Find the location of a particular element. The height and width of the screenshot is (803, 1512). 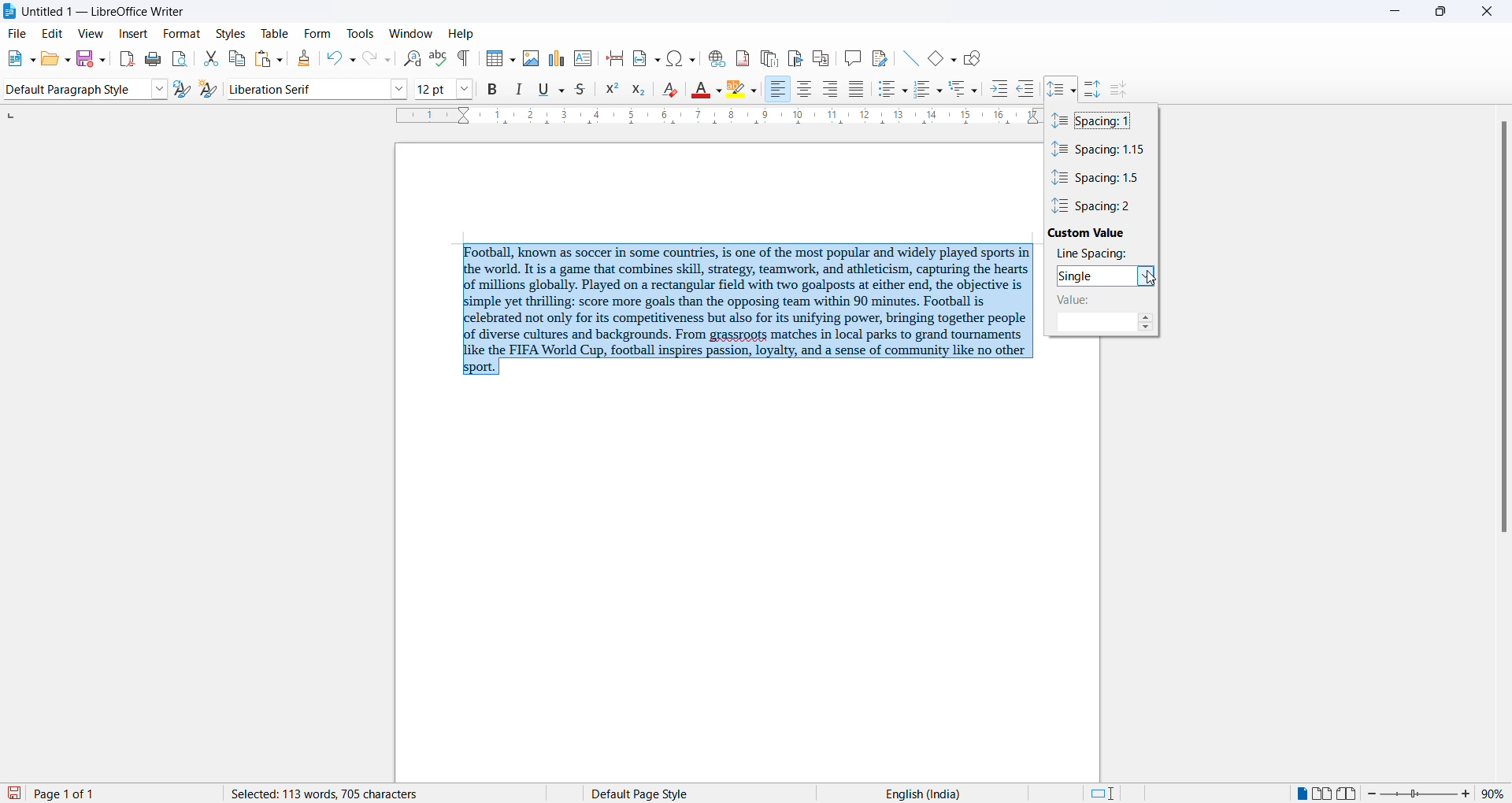

show track changes functions is located at coordinates (880, 58).